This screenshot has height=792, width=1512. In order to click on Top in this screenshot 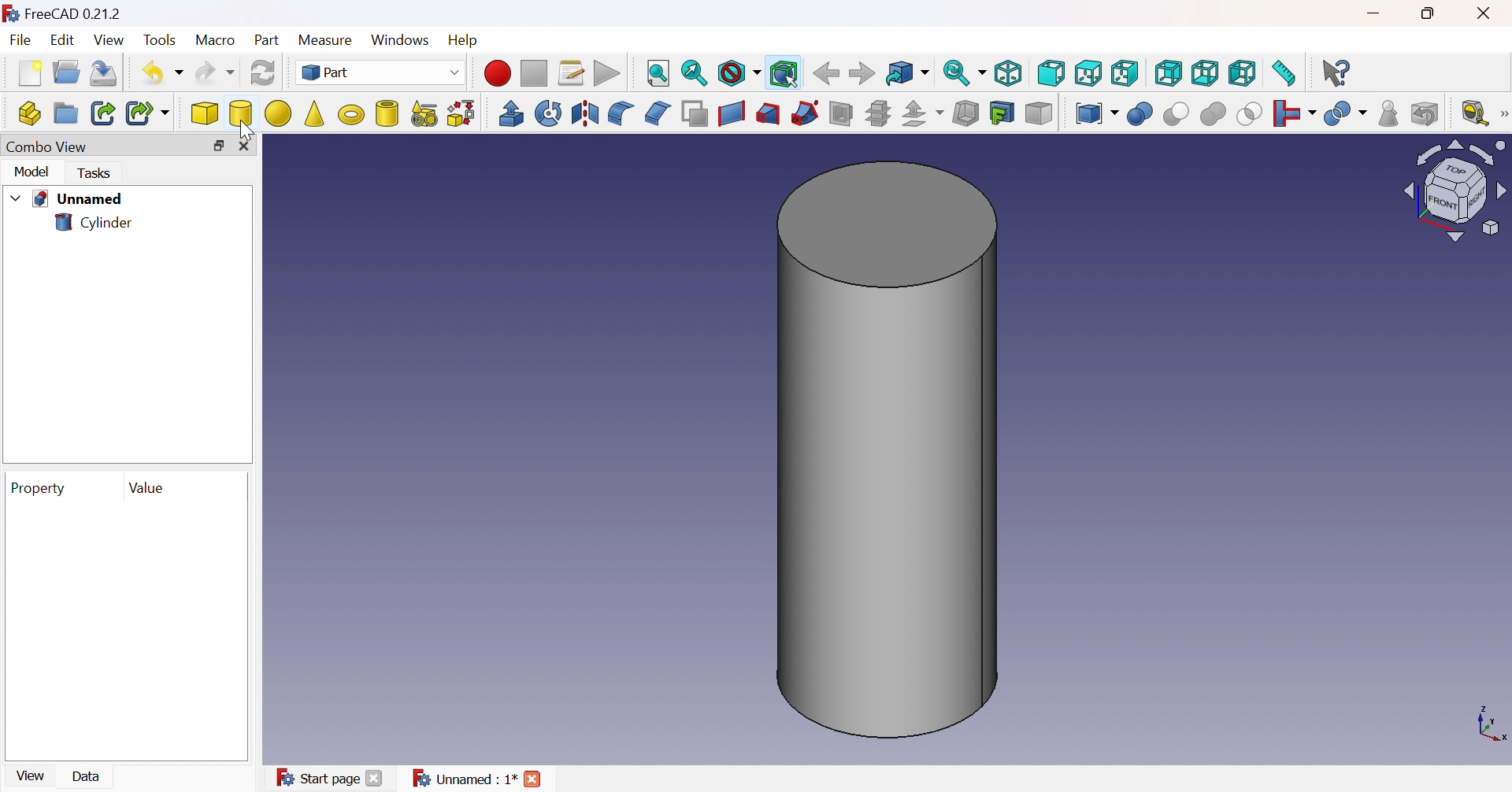, I will do `click(1088, 73)`.